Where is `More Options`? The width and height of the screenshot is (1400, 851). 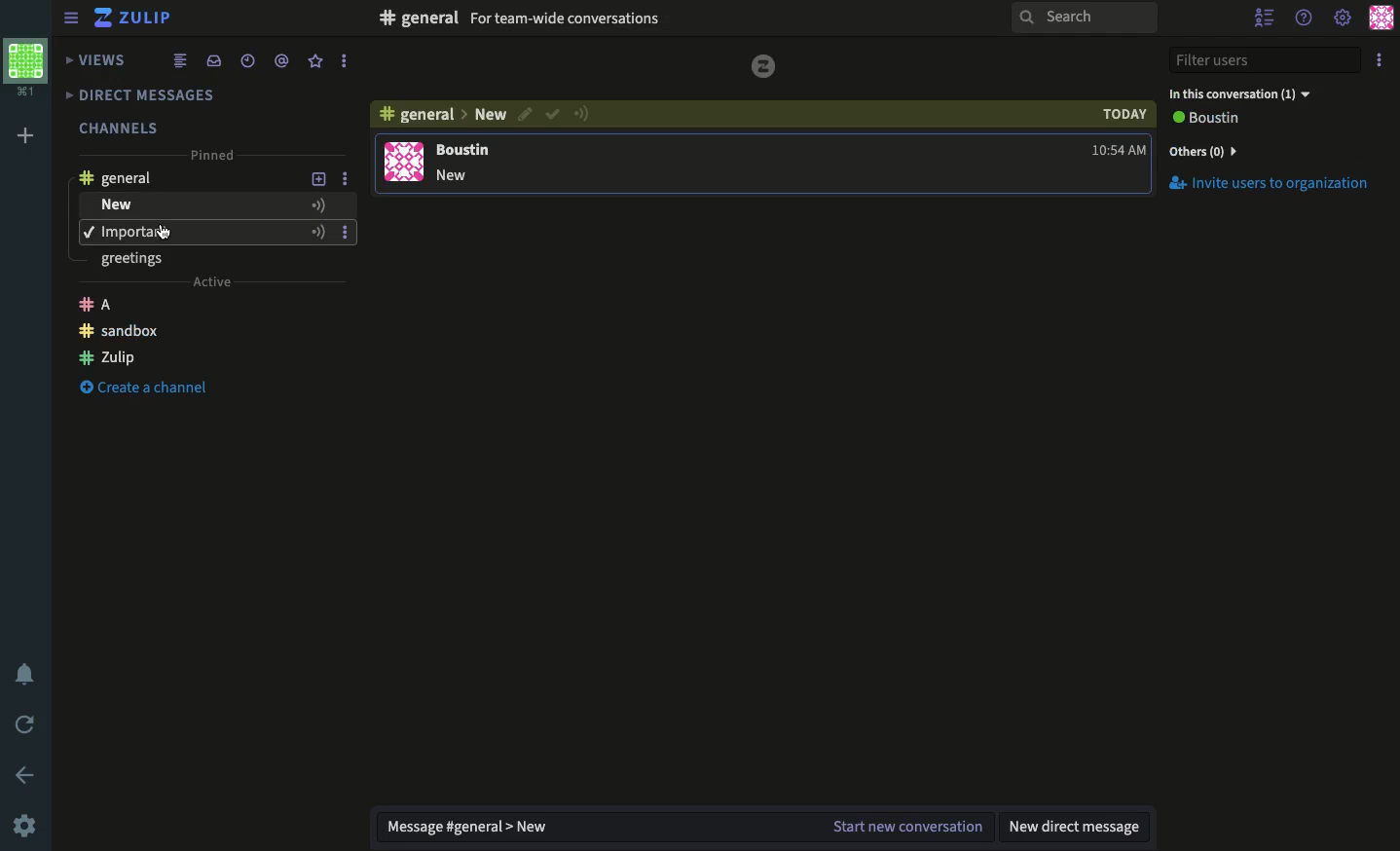
More Options is located at coordinates (351, 232).